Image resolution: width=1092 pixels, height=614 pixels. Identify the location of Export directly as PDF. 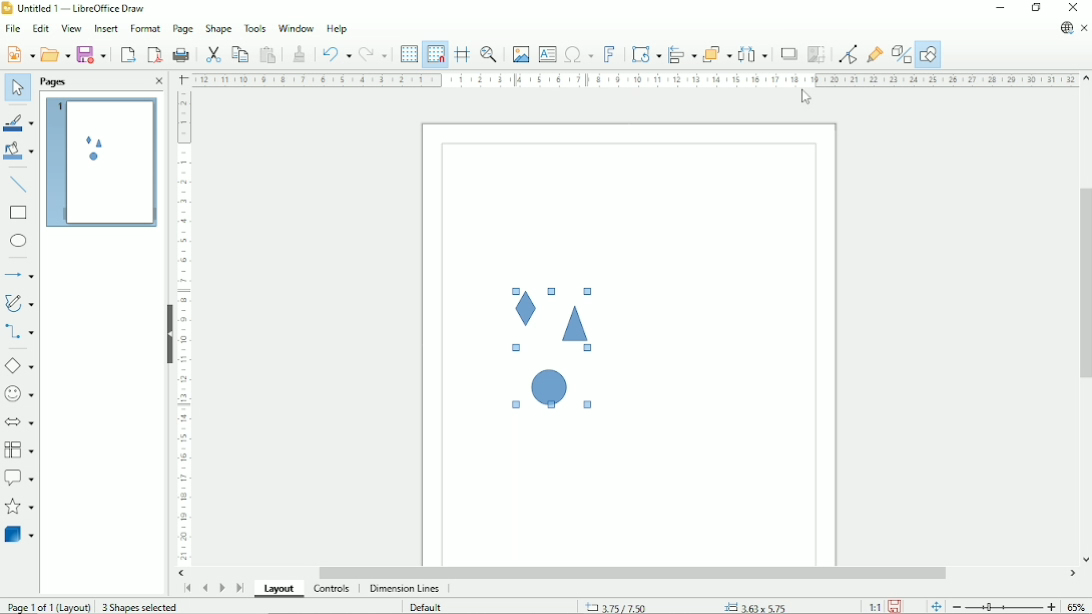
(154, 54).